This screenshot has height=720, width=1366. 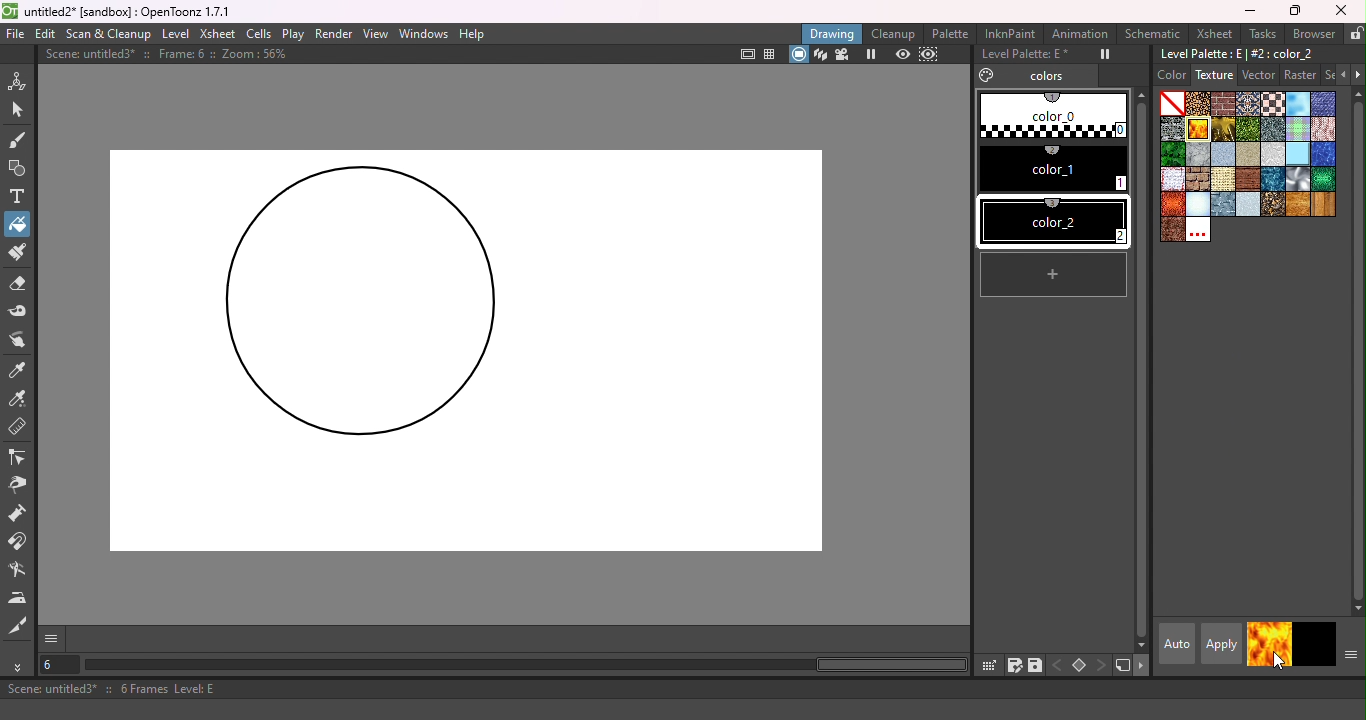 What do you see at coordinates (19, 487) in the screenshot?
I see `Pinch` at bounding box center [19, 487].